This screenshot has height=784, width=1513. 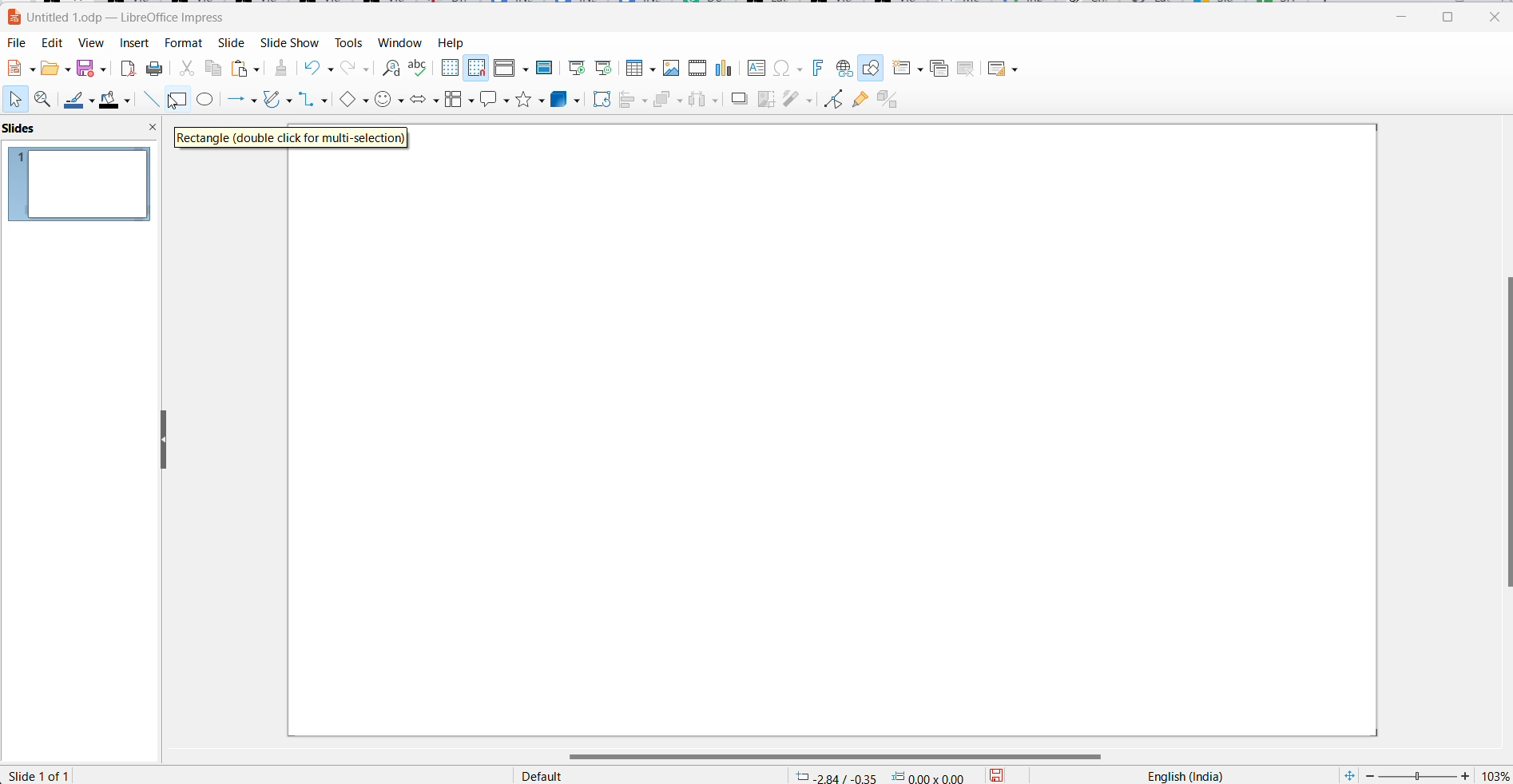 What do you see at coordinates (356, 69) in the screenshot?
I see `redo` at bounding box center [356, 69].